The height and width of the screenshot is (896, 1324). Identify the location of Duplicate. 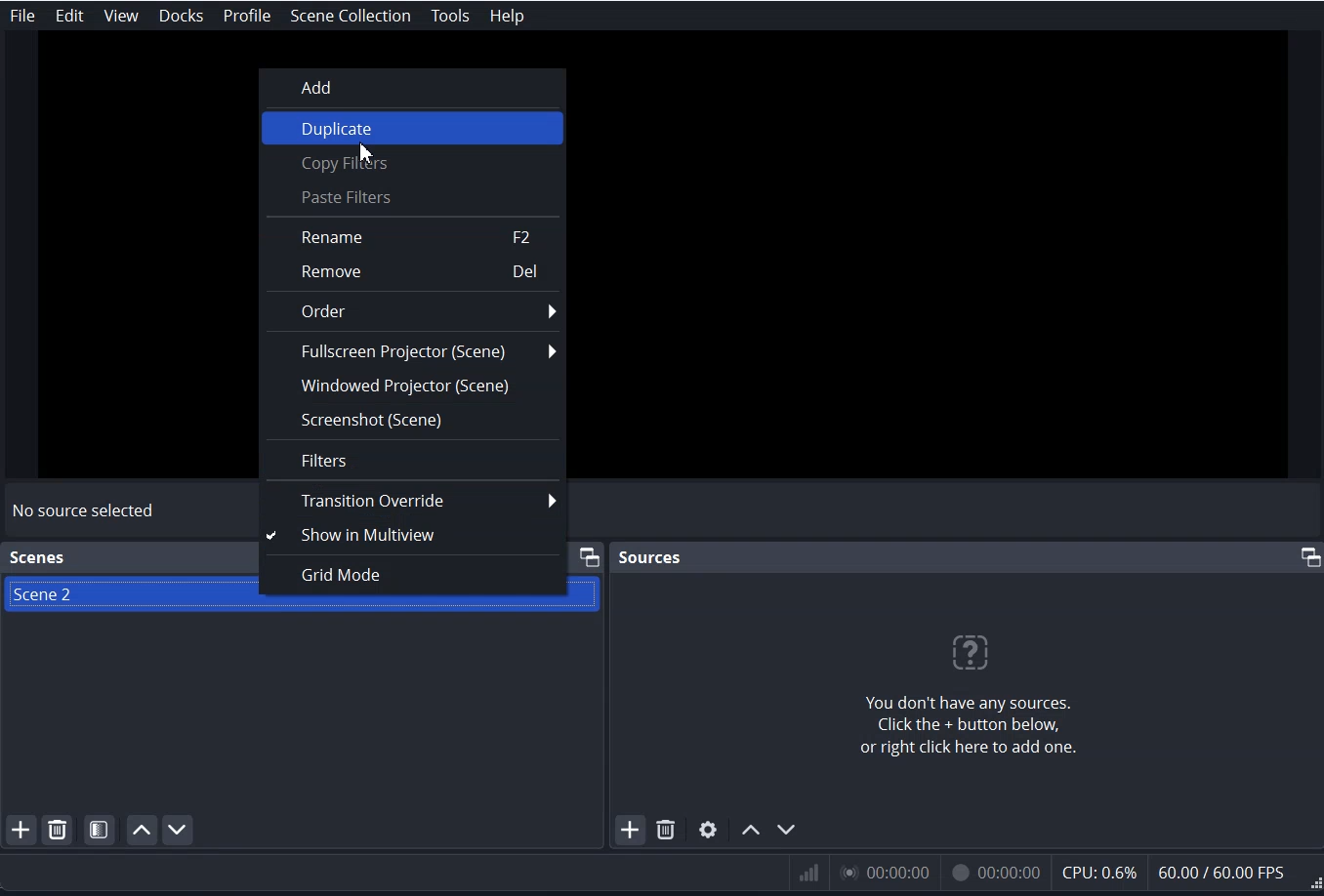
(413, 130).